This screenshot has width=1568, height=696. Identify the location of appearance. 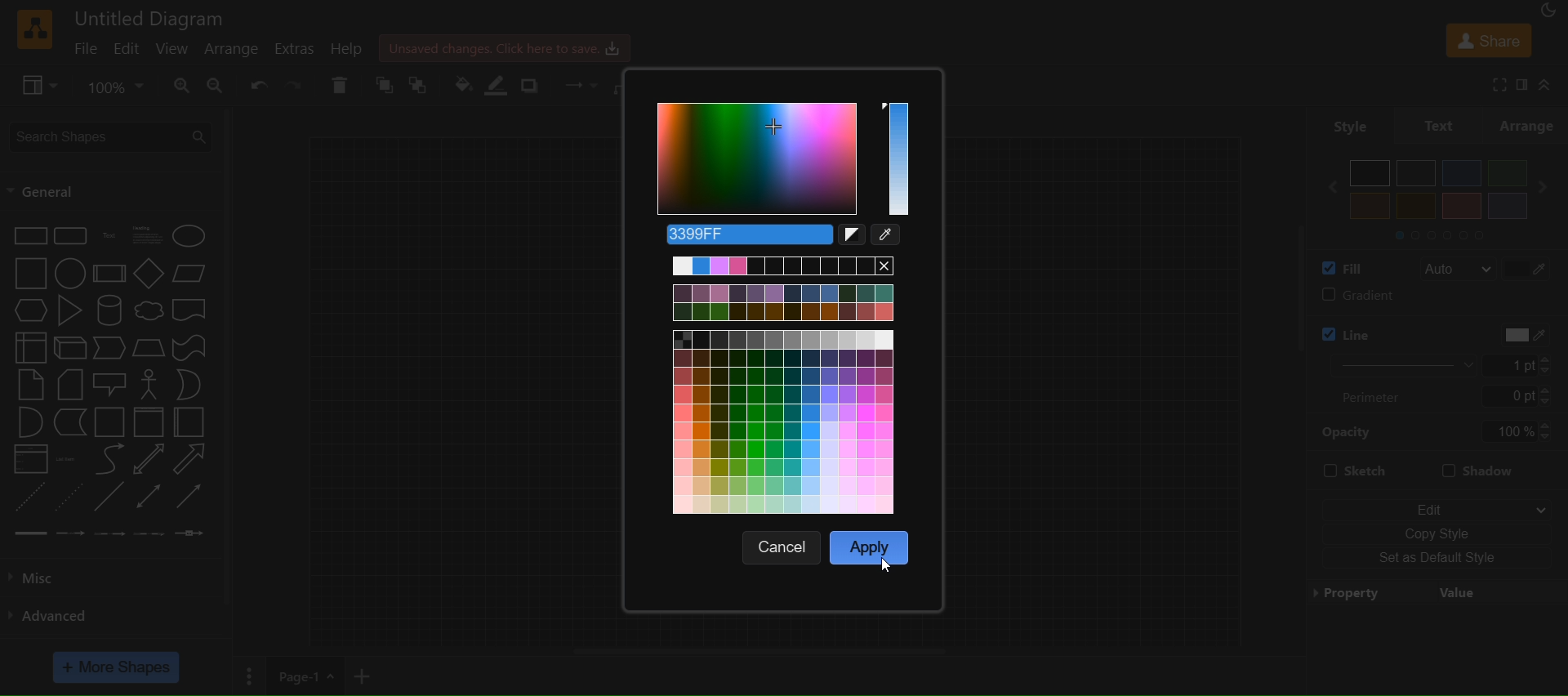
(1552, 12).